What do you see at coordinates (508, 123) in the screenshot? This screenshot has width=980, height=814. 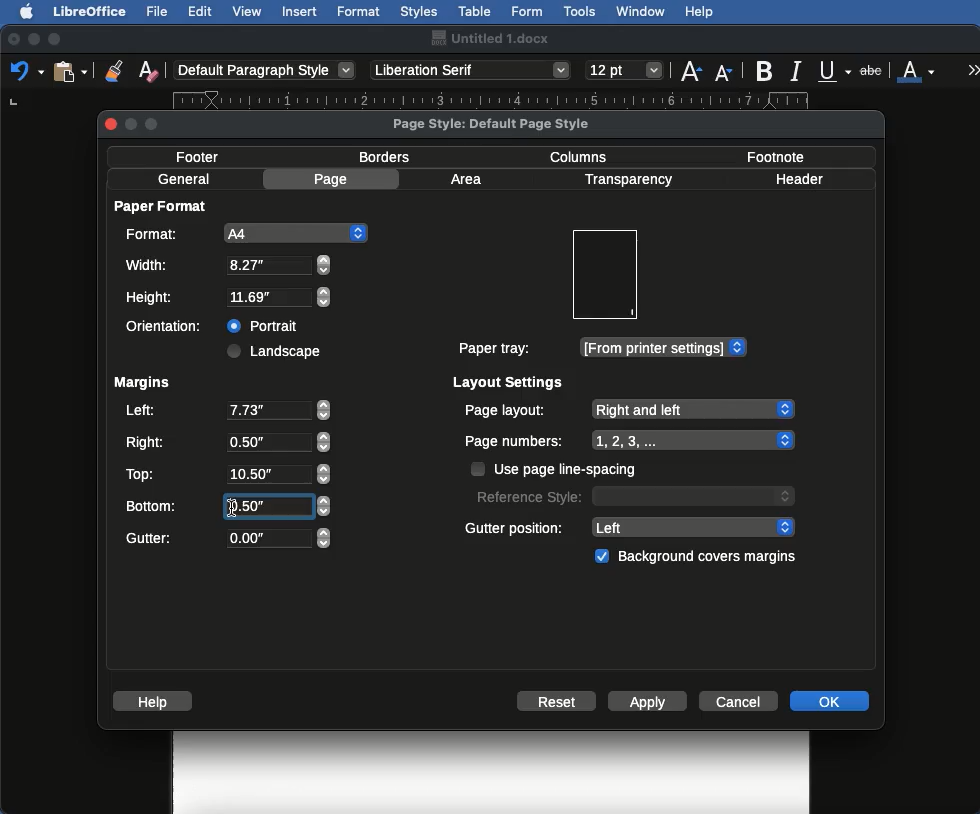 I see `Page style` at bounding box center [508, 123].